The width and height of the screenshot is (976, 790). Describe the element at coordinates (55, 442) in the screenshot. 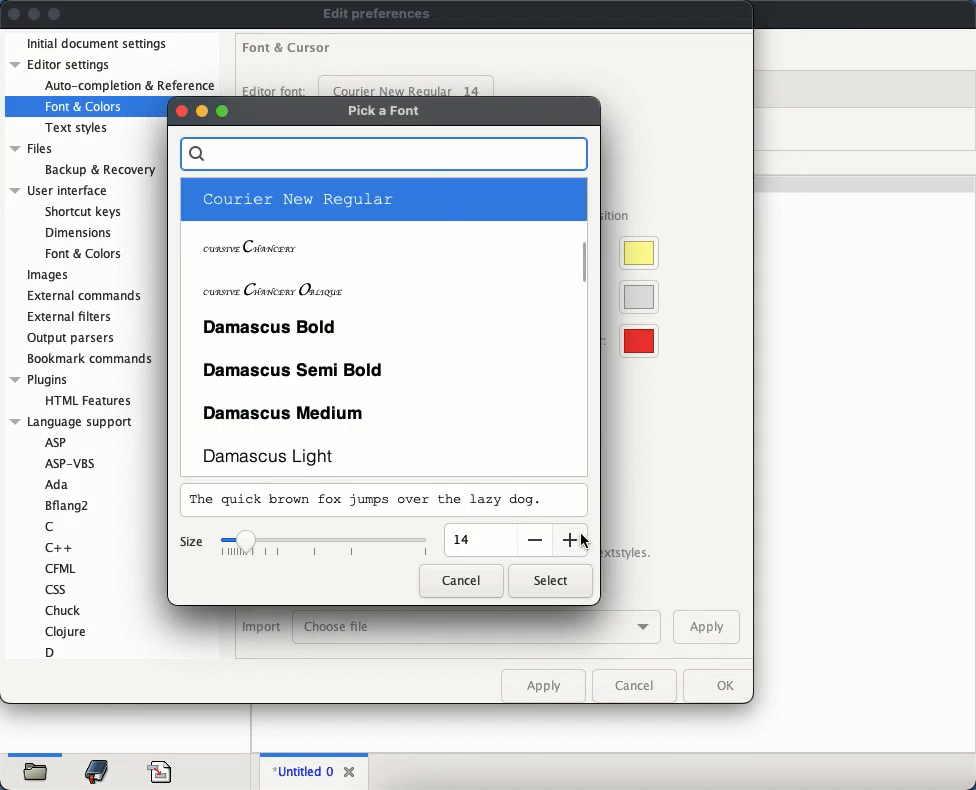

I see `Asp` at that location.